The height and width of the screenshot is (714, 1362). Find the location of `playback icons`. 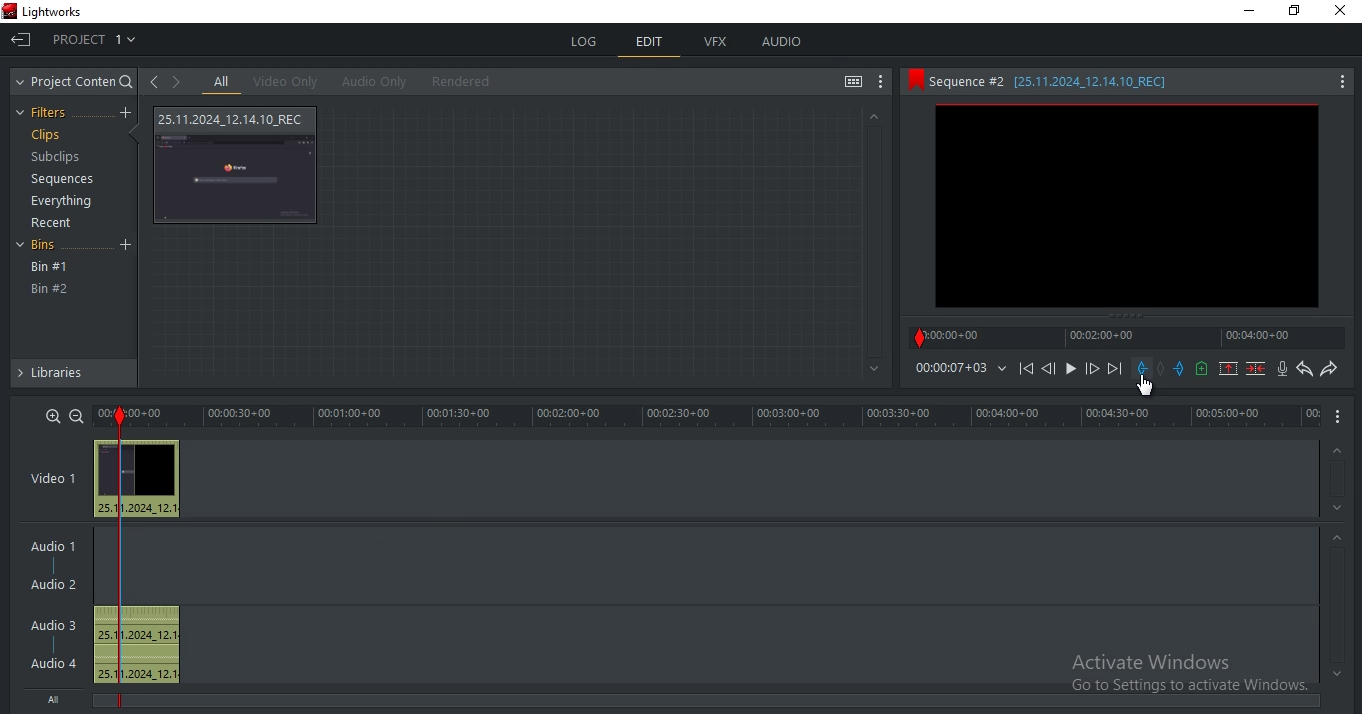

playback icons is located at coordinates (1025, 367).